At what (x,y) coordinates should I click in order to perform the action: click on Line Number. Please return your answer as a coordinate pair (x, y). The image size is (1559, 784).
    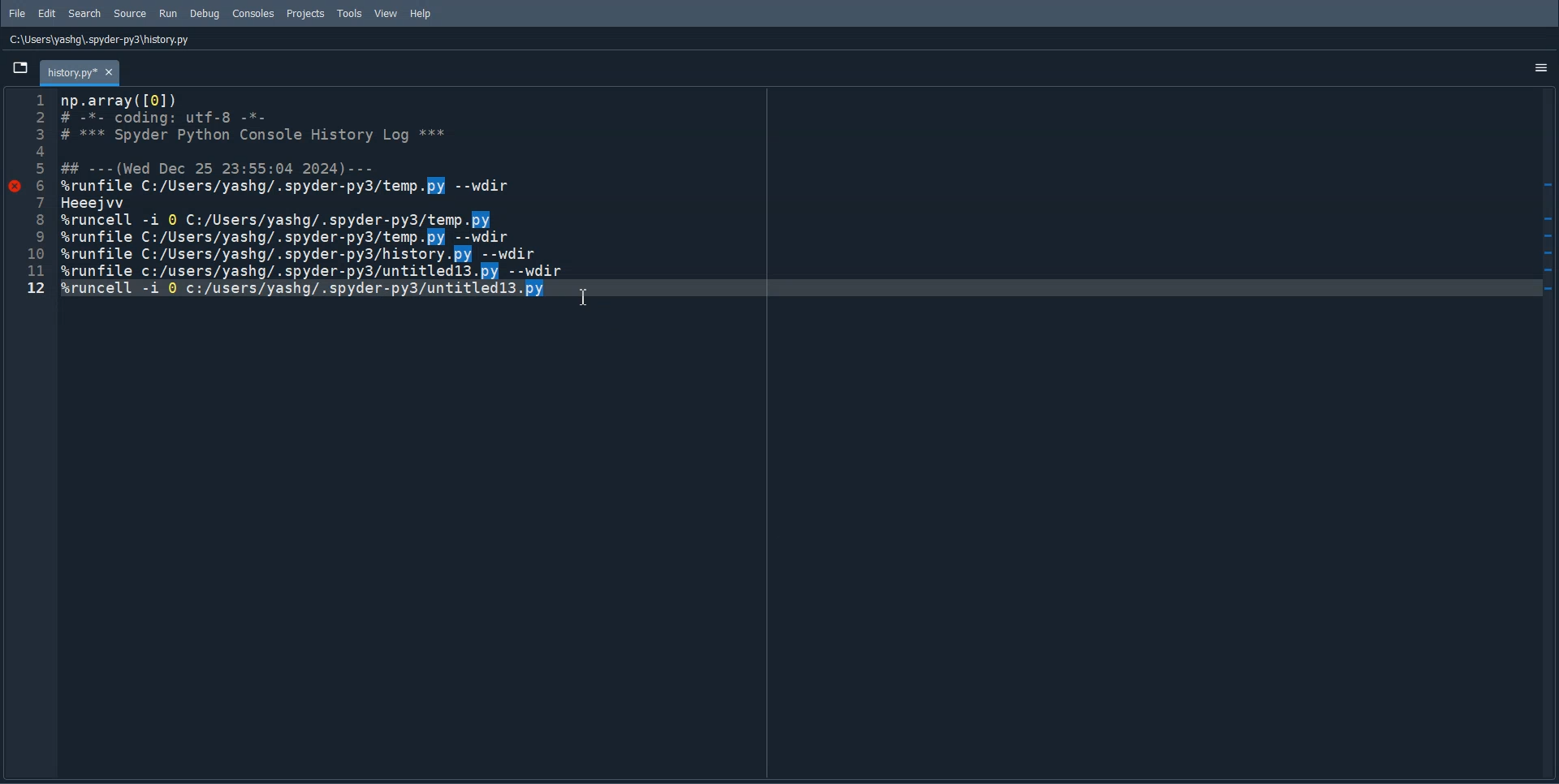
    Looking at the image, I should click on (33, 194).